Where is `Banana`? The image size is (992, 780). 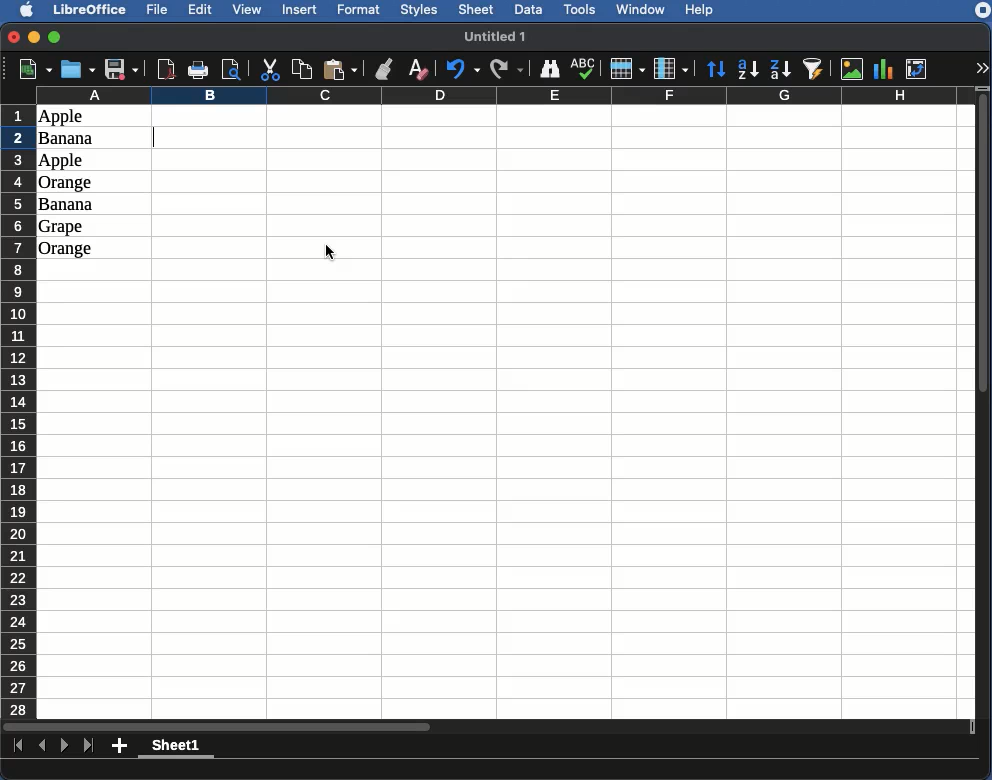
Banana is located at coordinates (67, 205).